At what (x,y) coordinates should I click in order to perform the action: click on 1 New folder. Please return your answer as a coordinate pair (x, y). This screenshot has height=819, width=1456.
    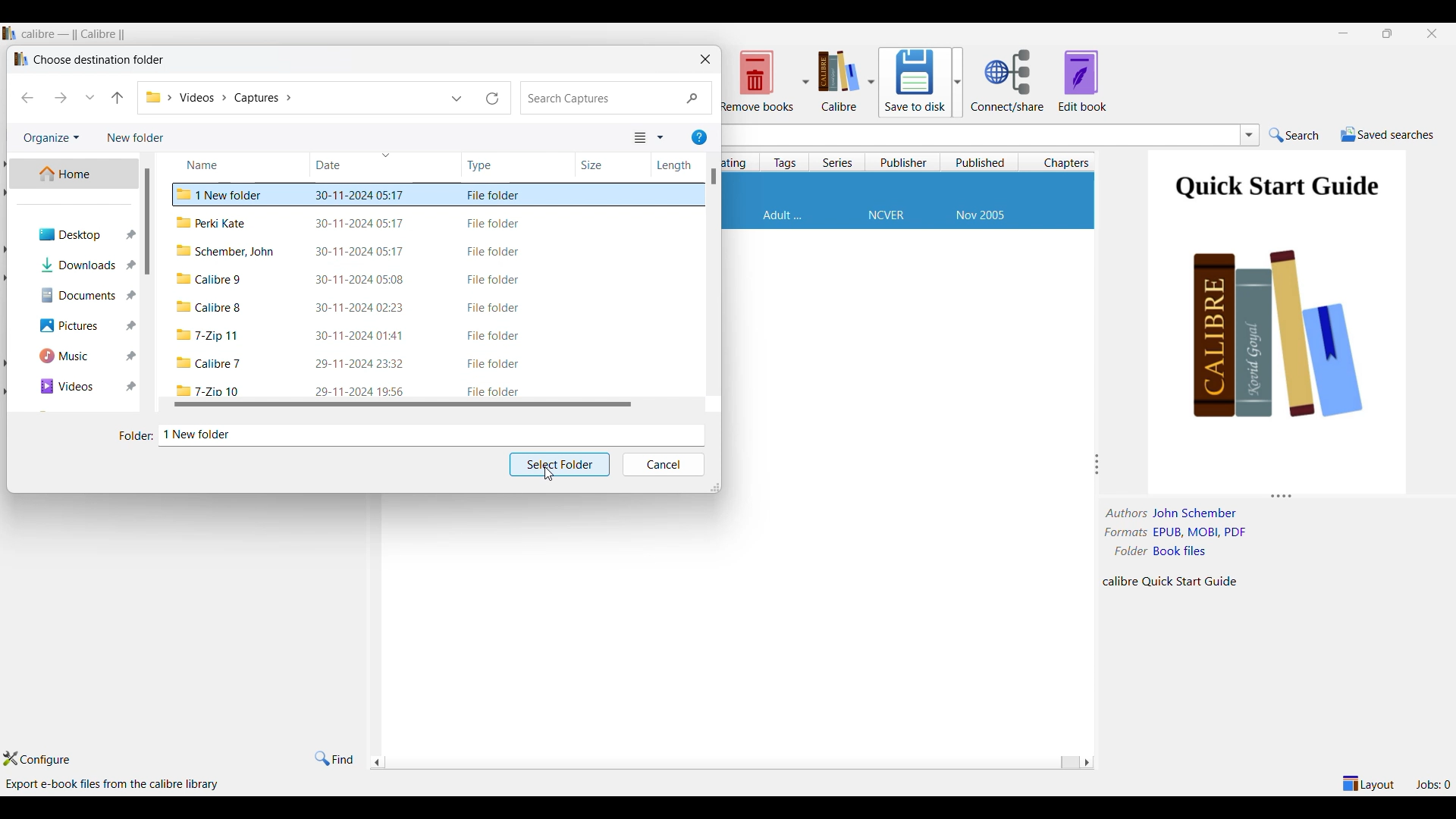
    Looking at the image, I should click on (223, 193).